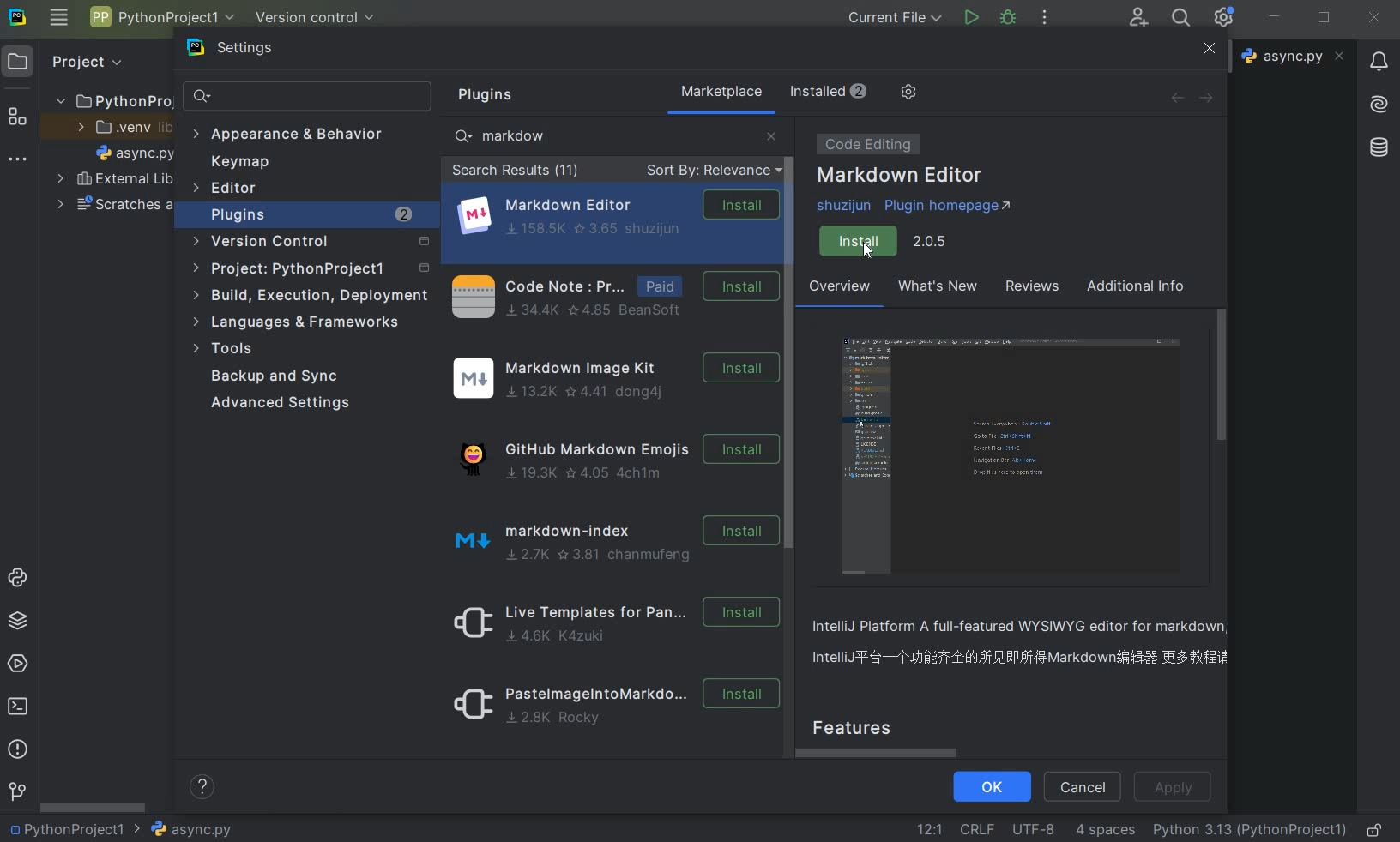 Image resolution: width=1400 pixels, height=842 pixels. What do you see at coordinates (87, 63) in the screenshot?
I see `Project` at bounding box center [87, 63].